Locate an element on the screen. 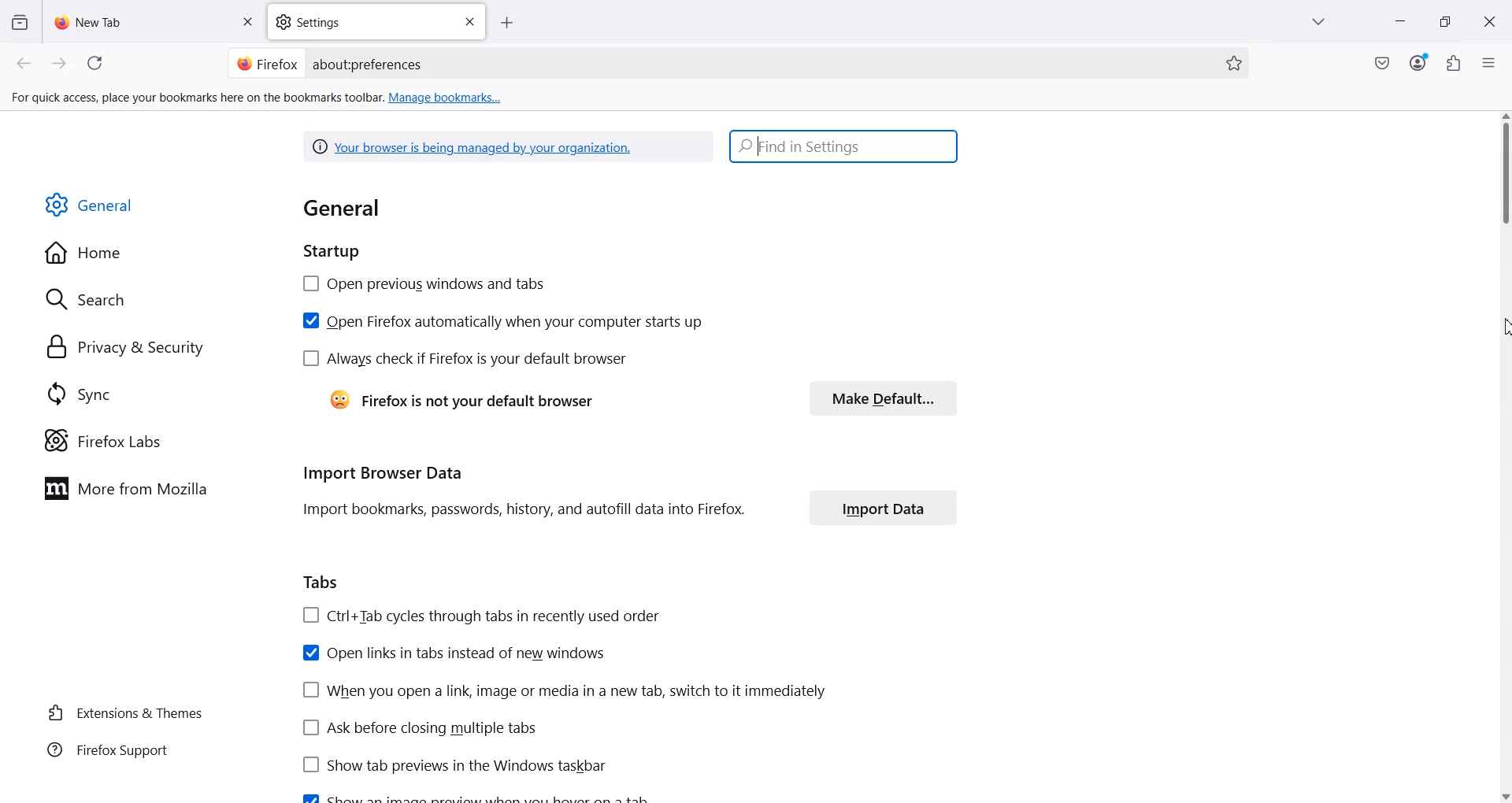  @ Firefox Support is located at coordinates (108, 749).